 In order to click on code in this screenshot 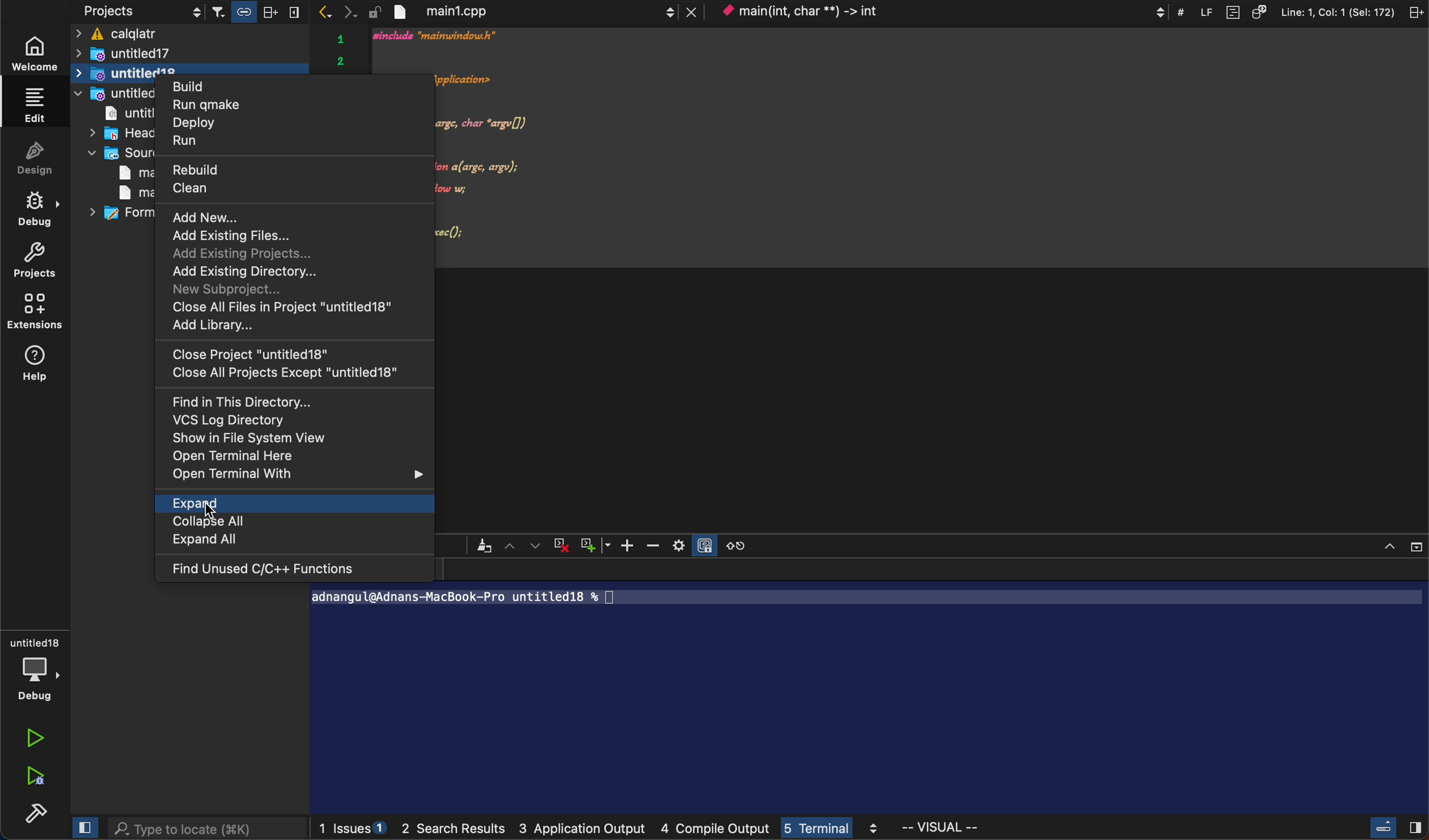, I will do `click(897, 148)`.